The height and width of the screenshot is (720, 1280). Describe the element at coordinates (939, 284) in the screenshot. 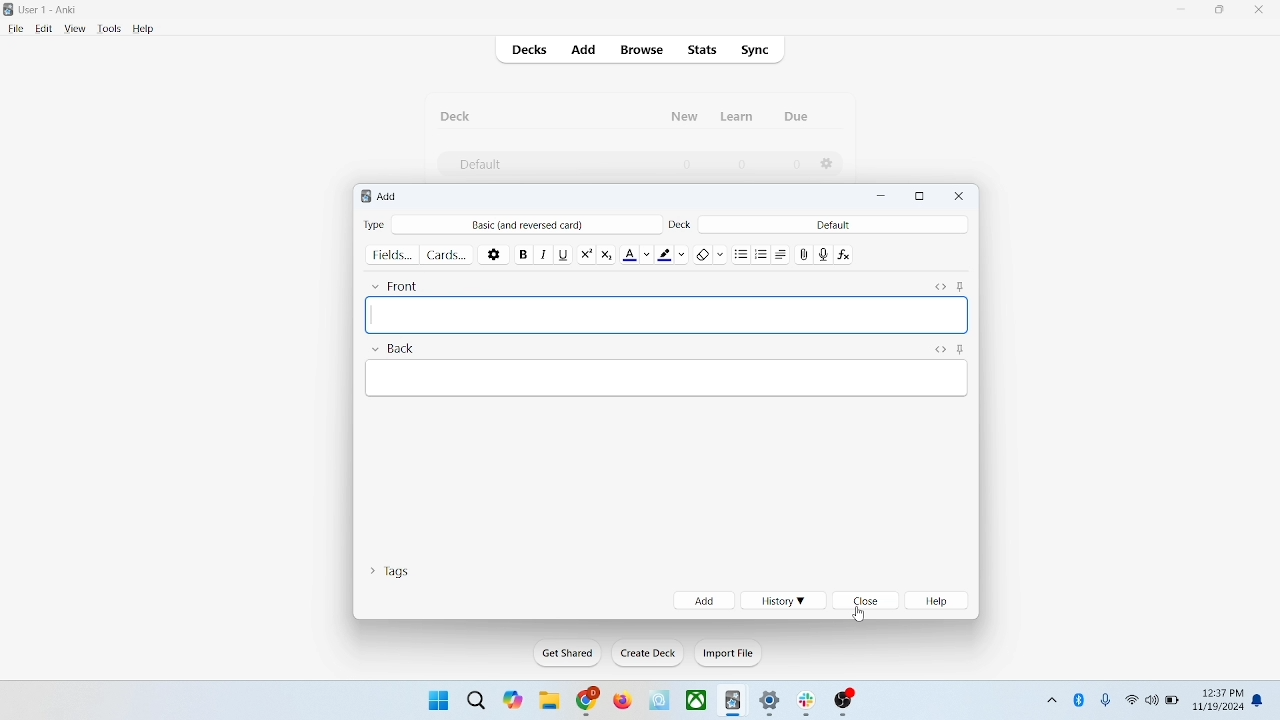

I see `HTML editor` at that location.